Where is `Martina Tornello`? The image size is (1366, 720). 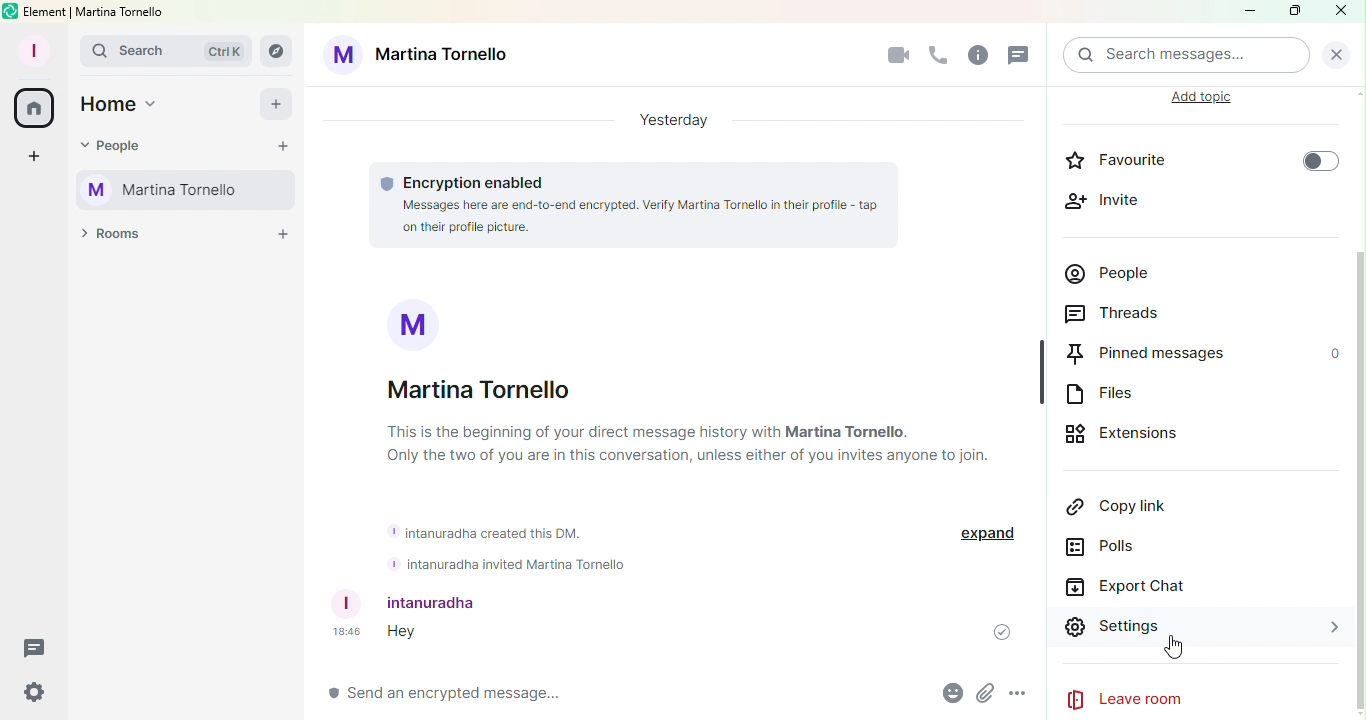
Martina Tornello is located at coordinates (481, 390).